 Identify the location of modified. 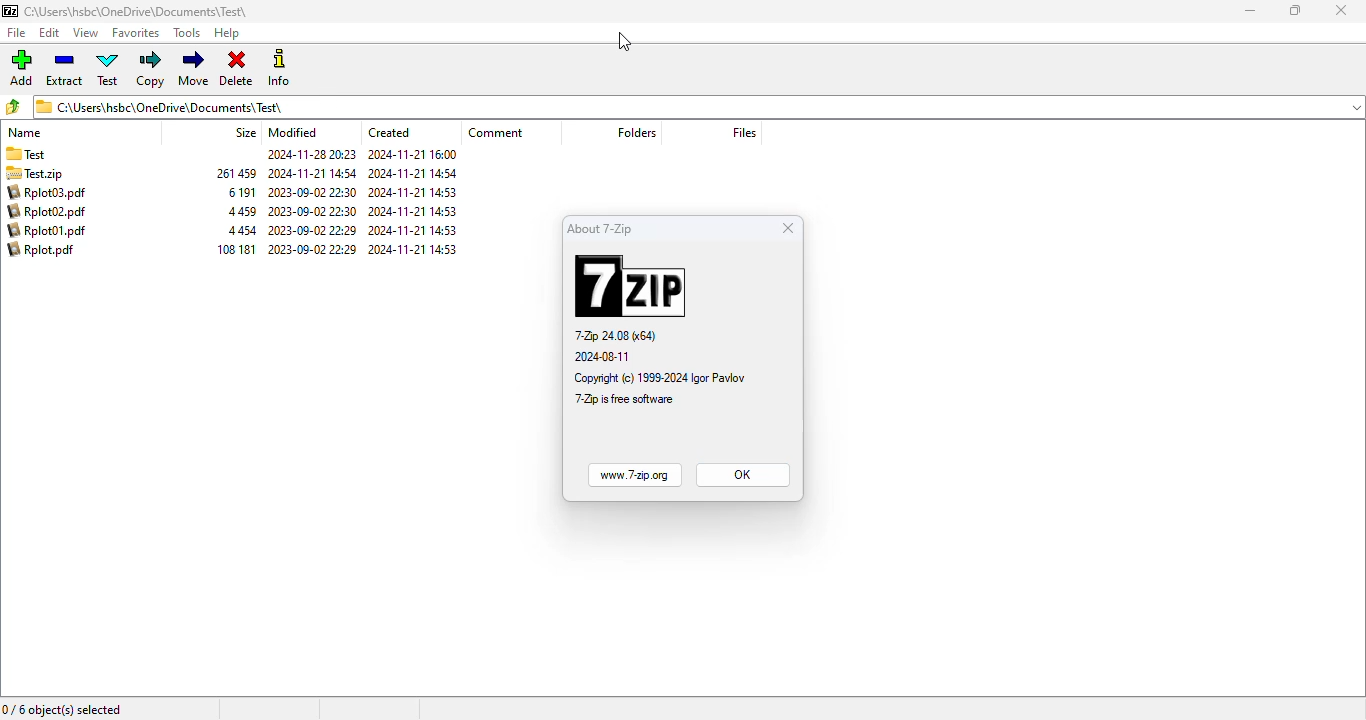
(293, 133).